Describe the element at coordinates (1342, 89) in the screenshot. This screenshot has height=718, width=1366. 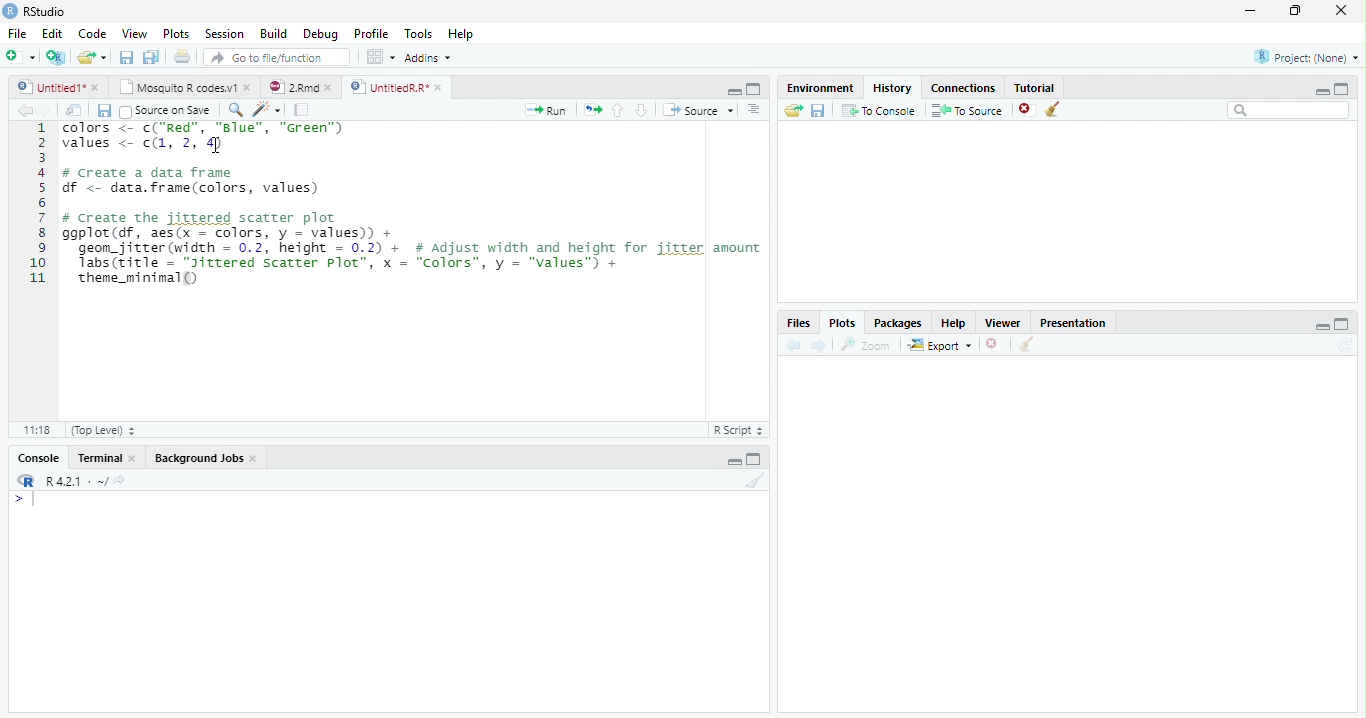
I see `Maximize` at that location.